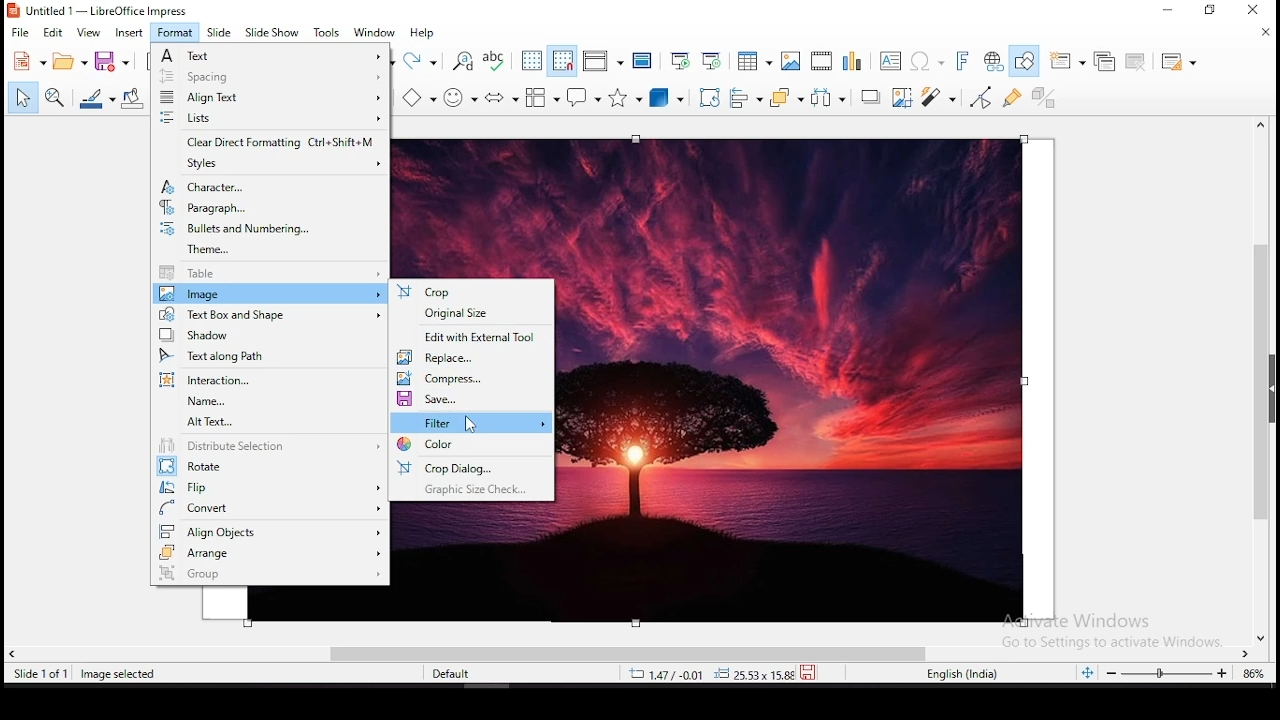 This screenshot has height=720, width=1280. Describe the element at coordinates (925, 61) in the screenshot. I see `insert special characters` at that location.